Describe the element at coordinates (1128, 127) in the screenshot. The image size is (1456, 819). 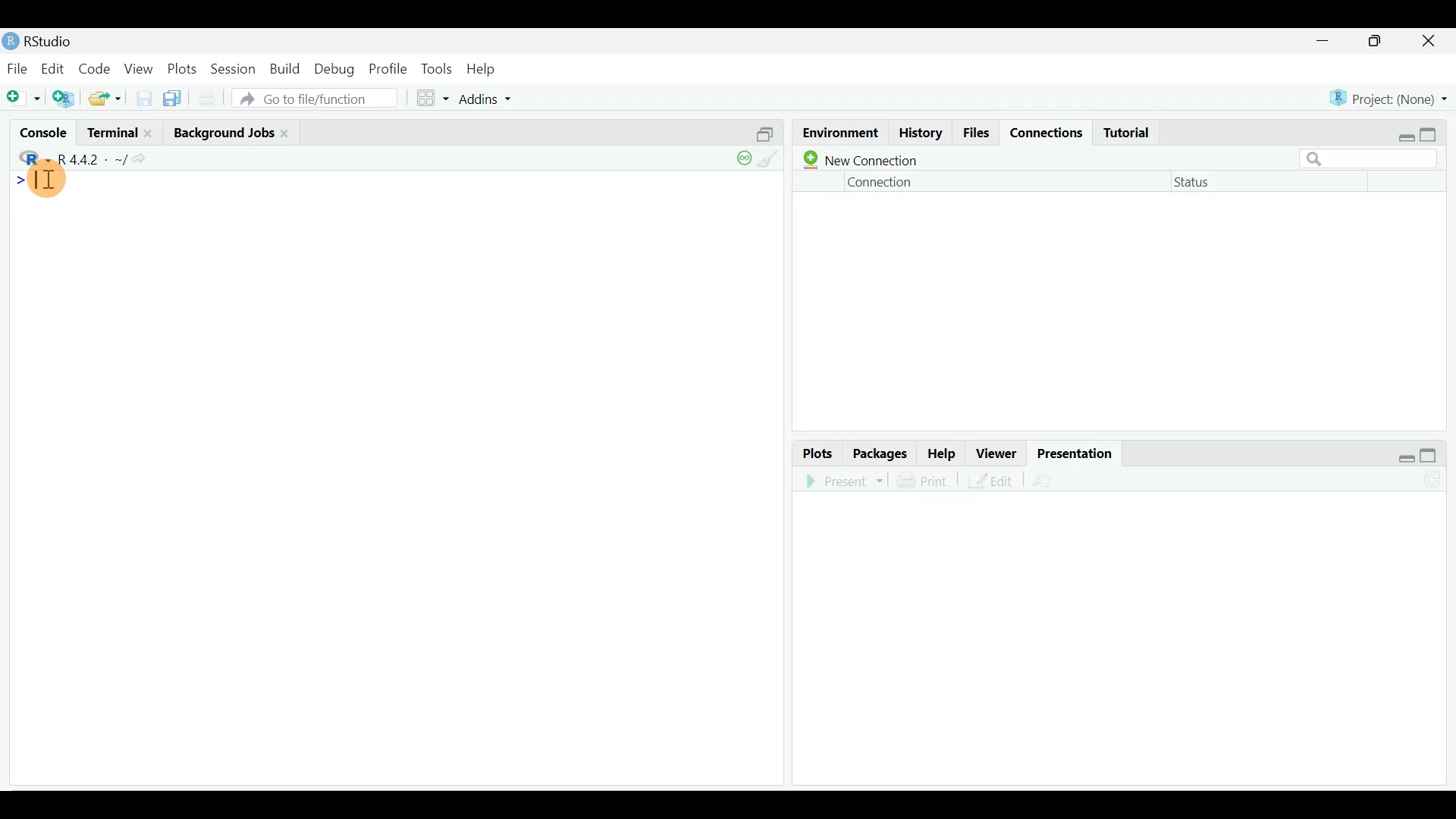
I see `Tutorial` at that location.